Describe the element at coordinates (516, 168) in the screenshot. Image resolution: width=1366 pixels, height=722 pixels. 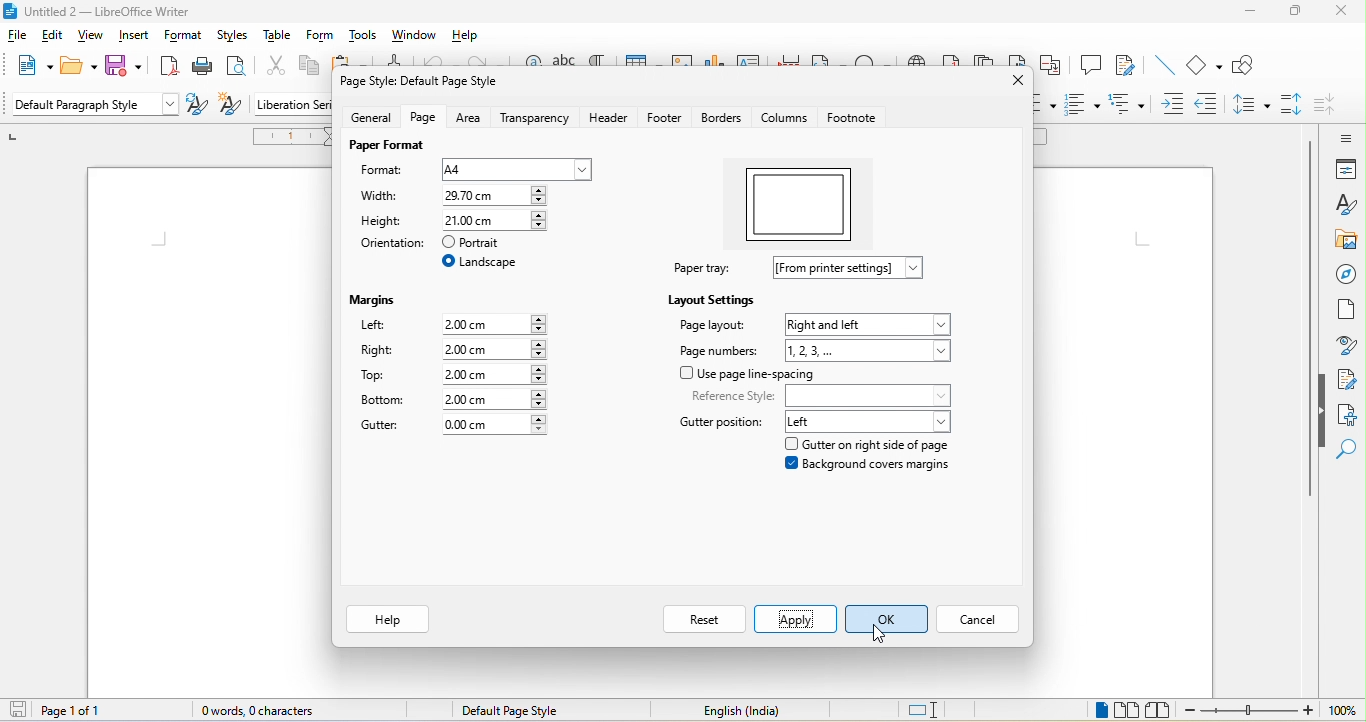
I see `a4` at that location.